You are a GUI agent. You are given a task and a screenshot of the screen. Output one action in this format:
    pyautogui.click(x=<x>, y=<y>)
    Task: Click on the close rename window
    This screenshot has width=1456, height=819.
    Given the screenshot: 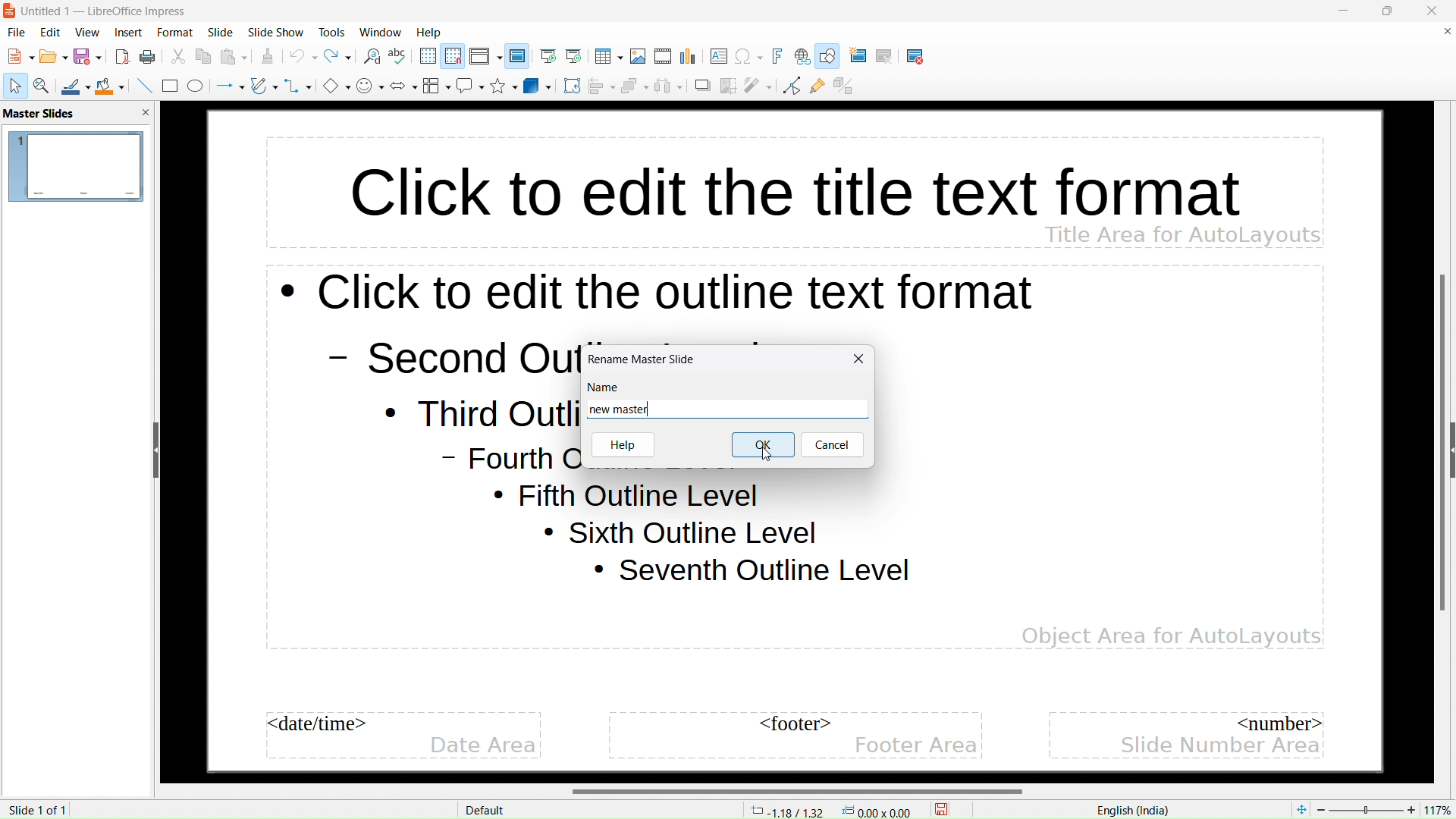 What is the action you would take?
    pyautogui.click(x=859, y=358)
    